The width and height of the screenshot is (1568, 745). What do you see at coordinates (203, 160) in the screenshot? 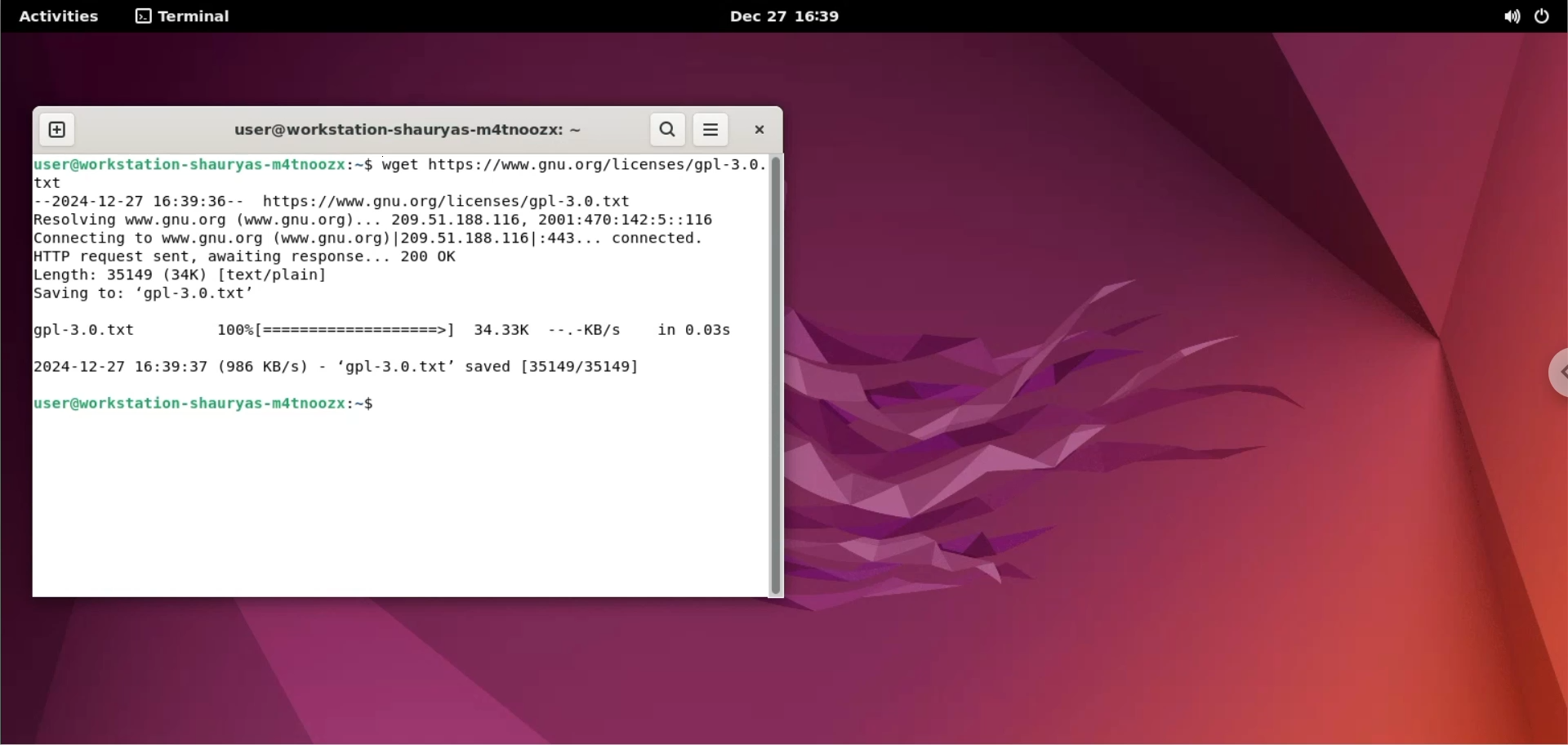
I see `user@workstation-shauryas-m4tnoozx: ~$  Link` at bounding box center [203, 160].